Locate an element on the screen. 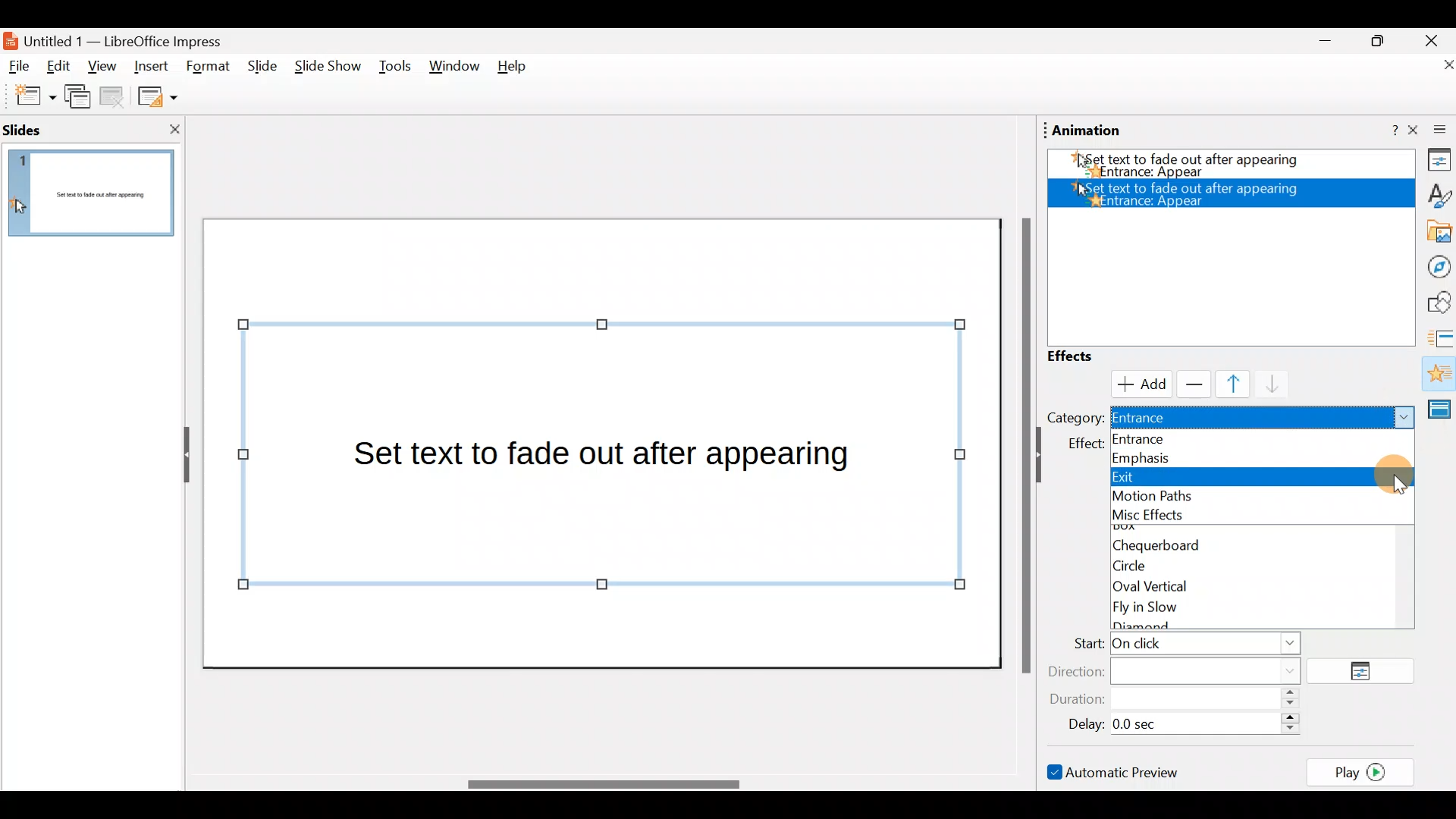 This screenshot has width=1456, height=819. Master slides is located at coordinates (1442, 408).